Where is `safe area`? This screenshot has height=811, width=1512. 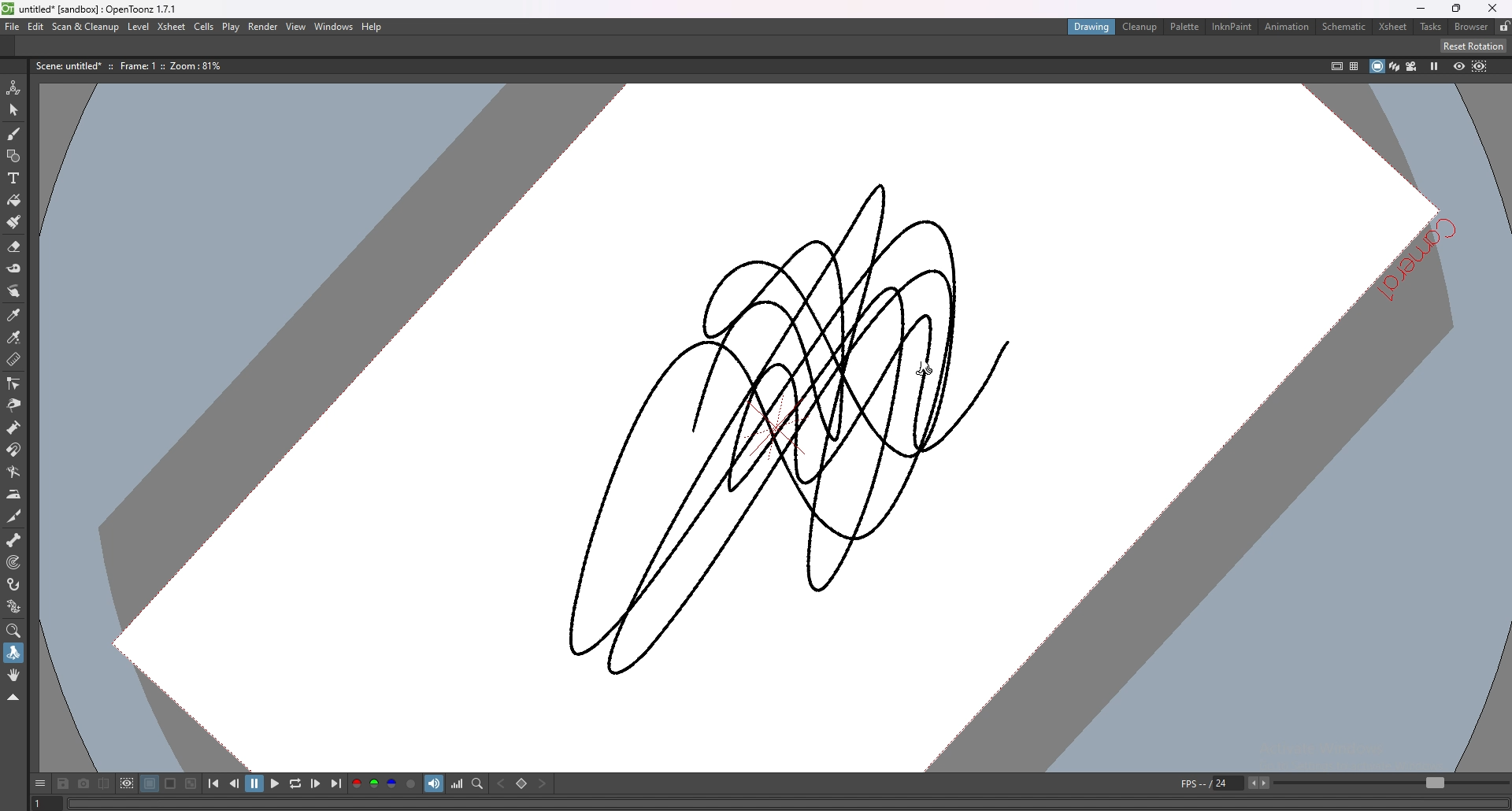
safe area is located at coordinates (1337, 65).